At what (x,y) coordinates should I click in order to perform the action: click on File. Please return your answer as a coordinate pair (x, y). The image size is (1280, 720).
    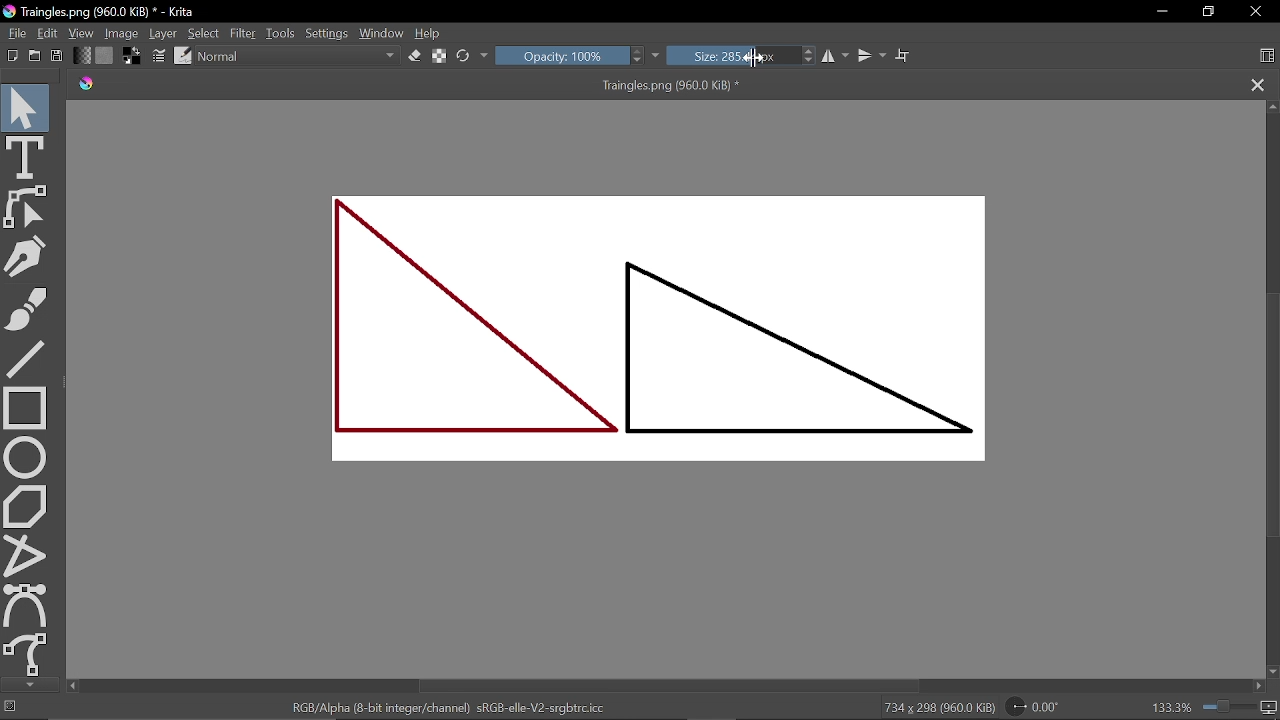
    Looking at the image, I should click on (15, 33).